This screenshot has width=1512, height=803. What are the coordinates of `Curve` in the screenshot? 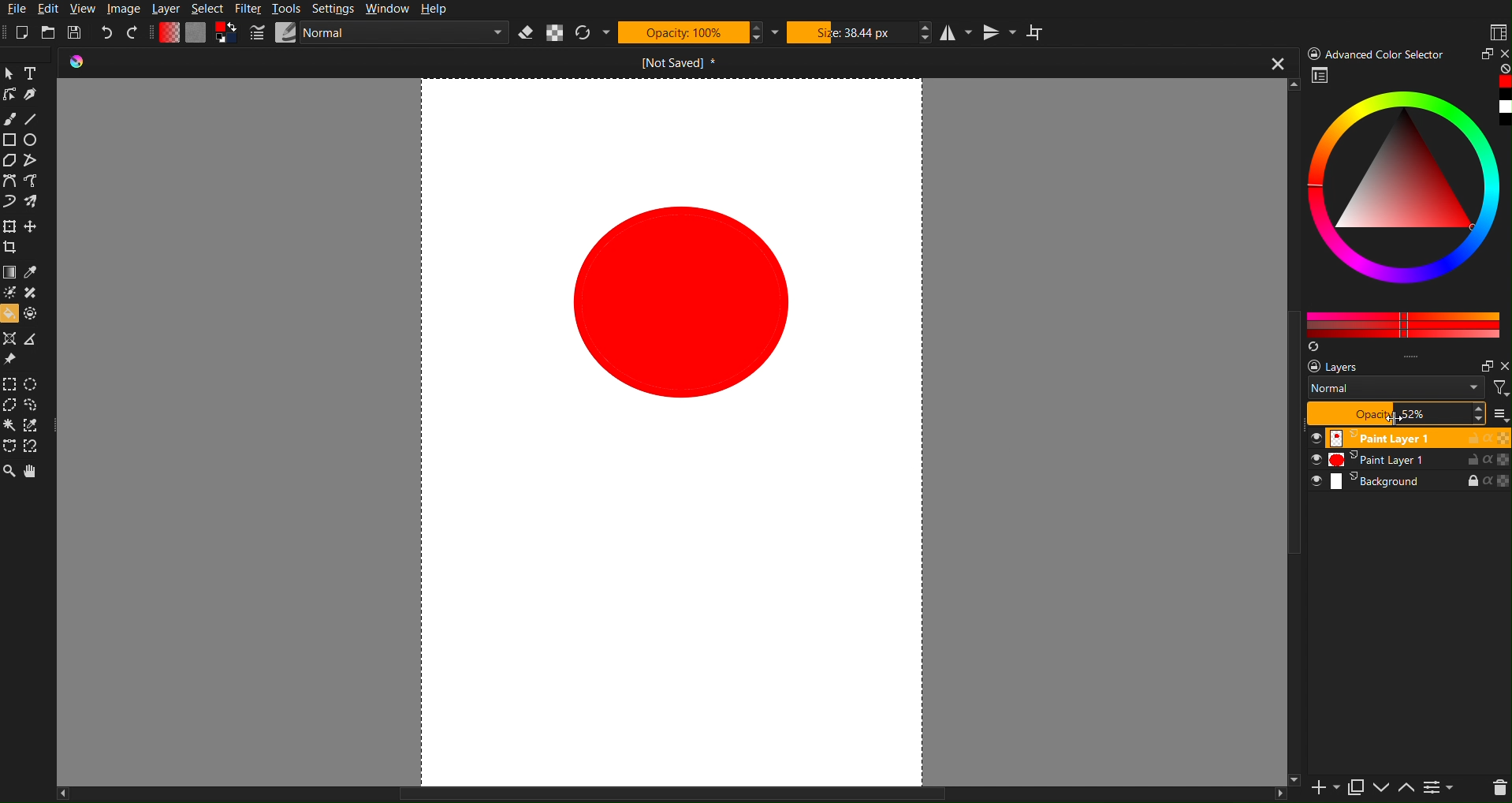 It's located at (227, 32).